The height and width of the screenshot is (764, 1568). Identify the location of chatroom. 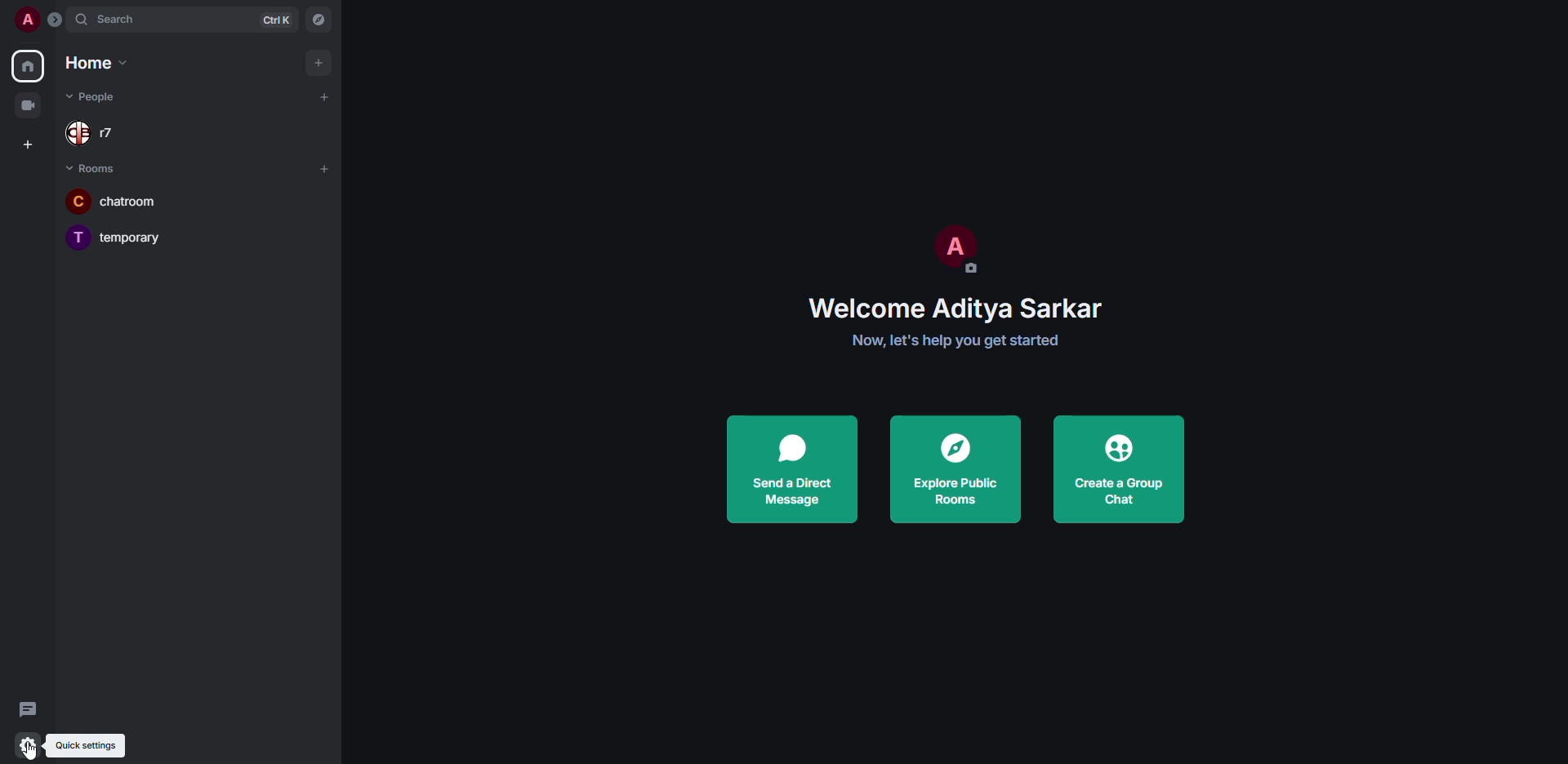
(128, 201).